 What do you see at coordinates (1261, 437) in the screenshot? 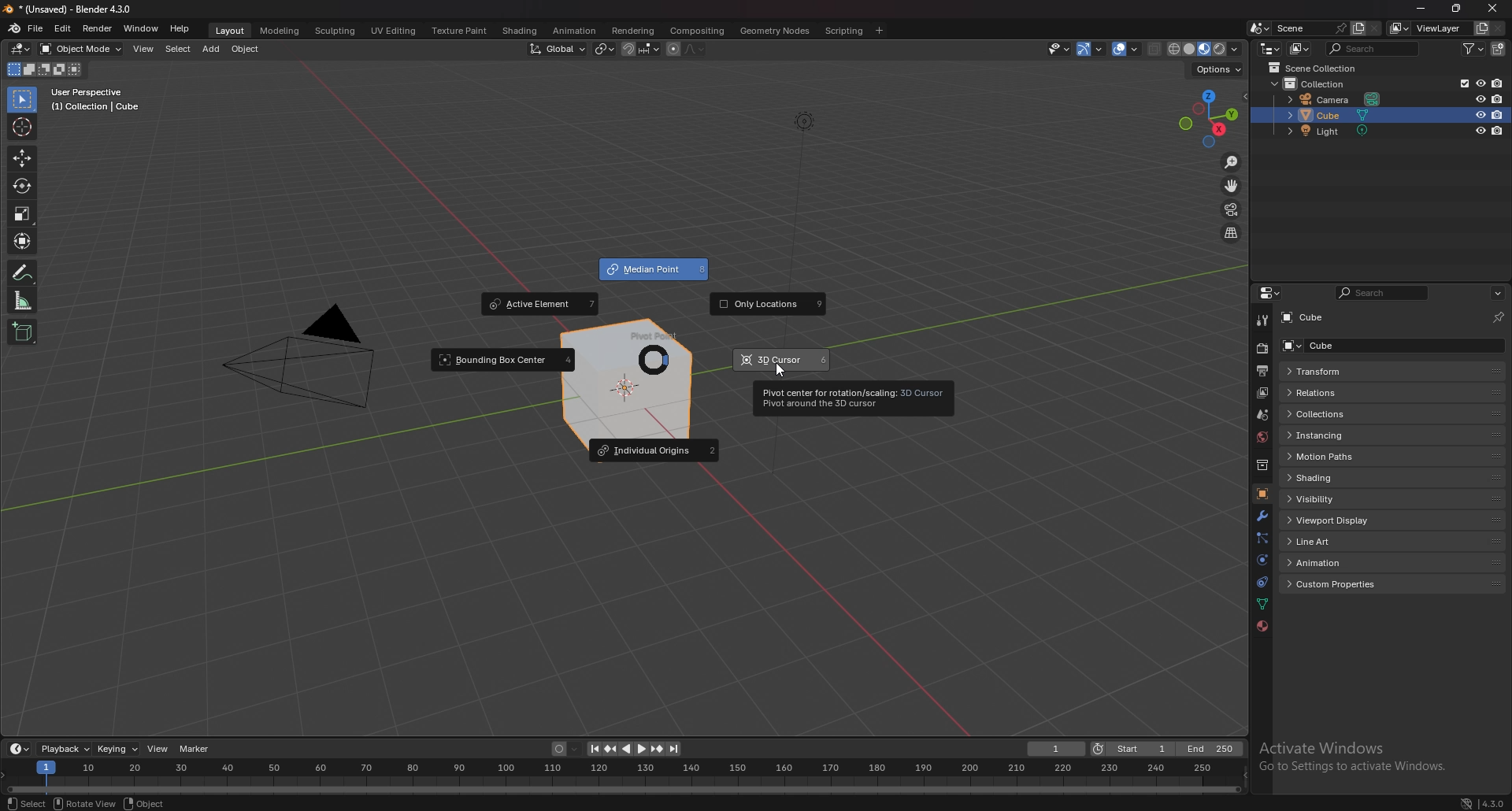
I see `world` at bounding box center [1261, 437].